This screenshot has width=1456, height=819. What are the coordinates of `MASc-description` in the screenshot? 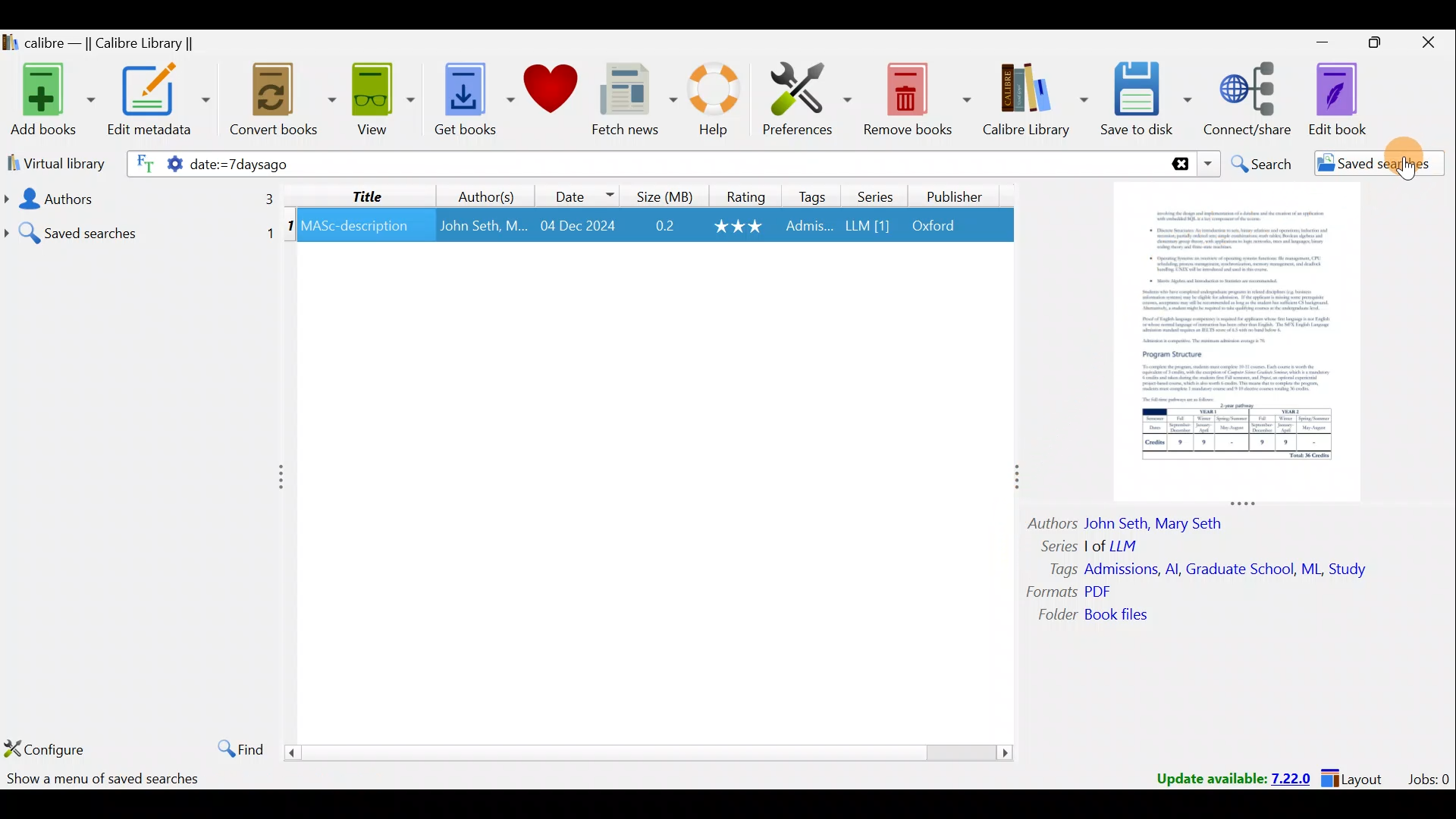 It's located at (356, 228).